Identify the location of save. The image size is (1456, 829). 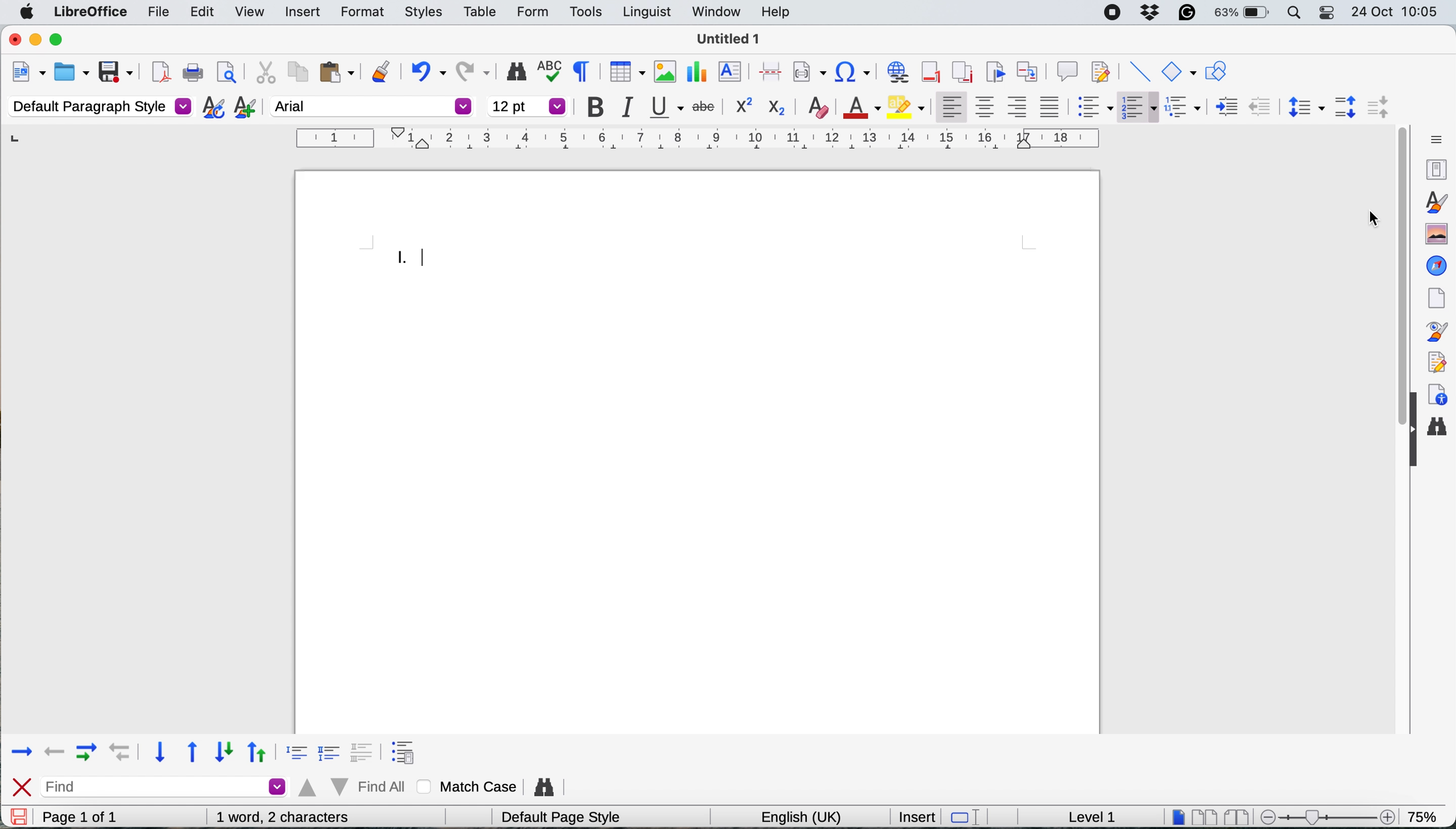
(117, 71).